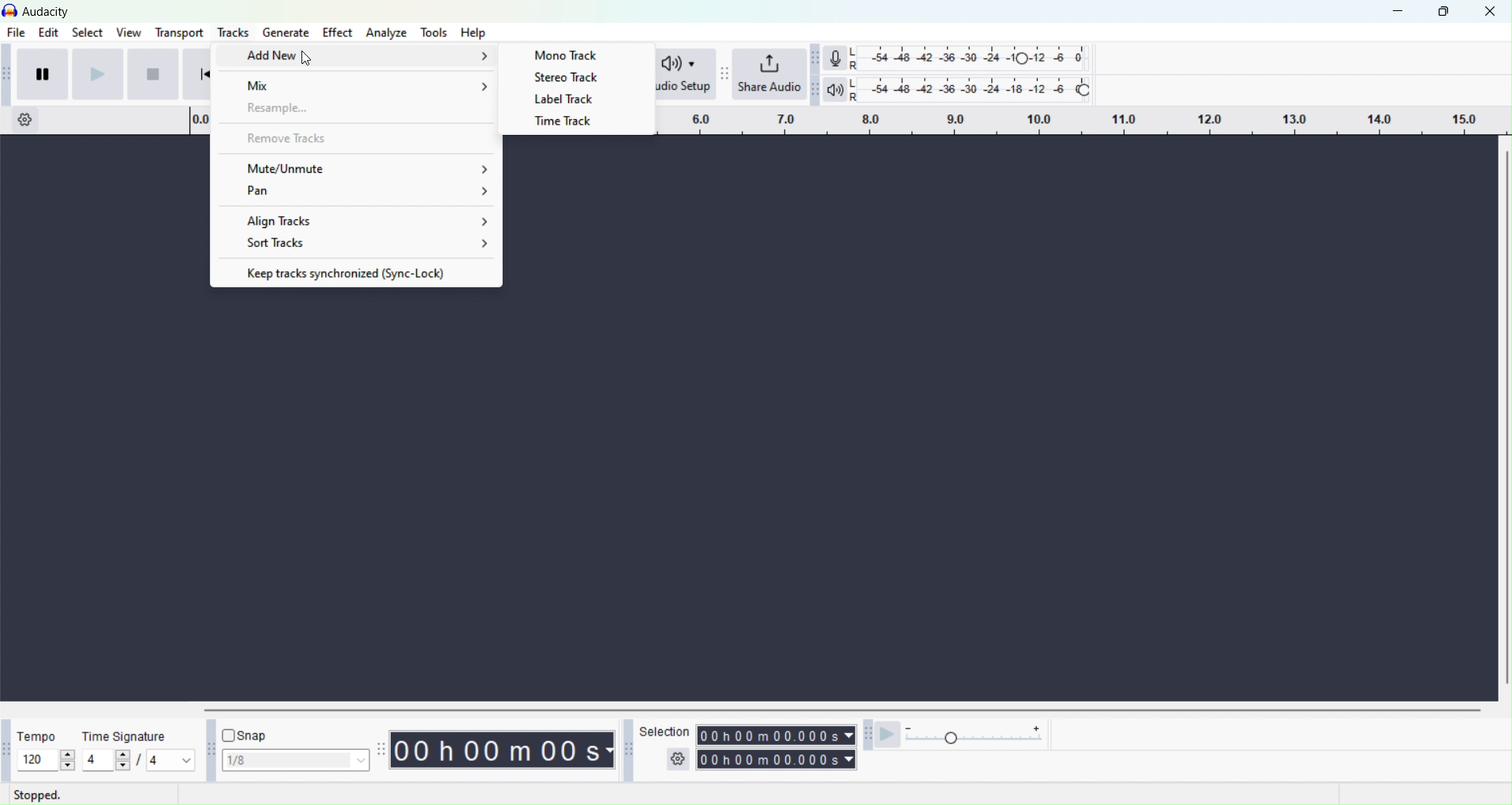 Image resolution: width=1512 pixels, height=805 pixels. What do you see at coordinates (679, 75) in the screenshot?
I see `Audio setup` at bounding box center [679, 75].